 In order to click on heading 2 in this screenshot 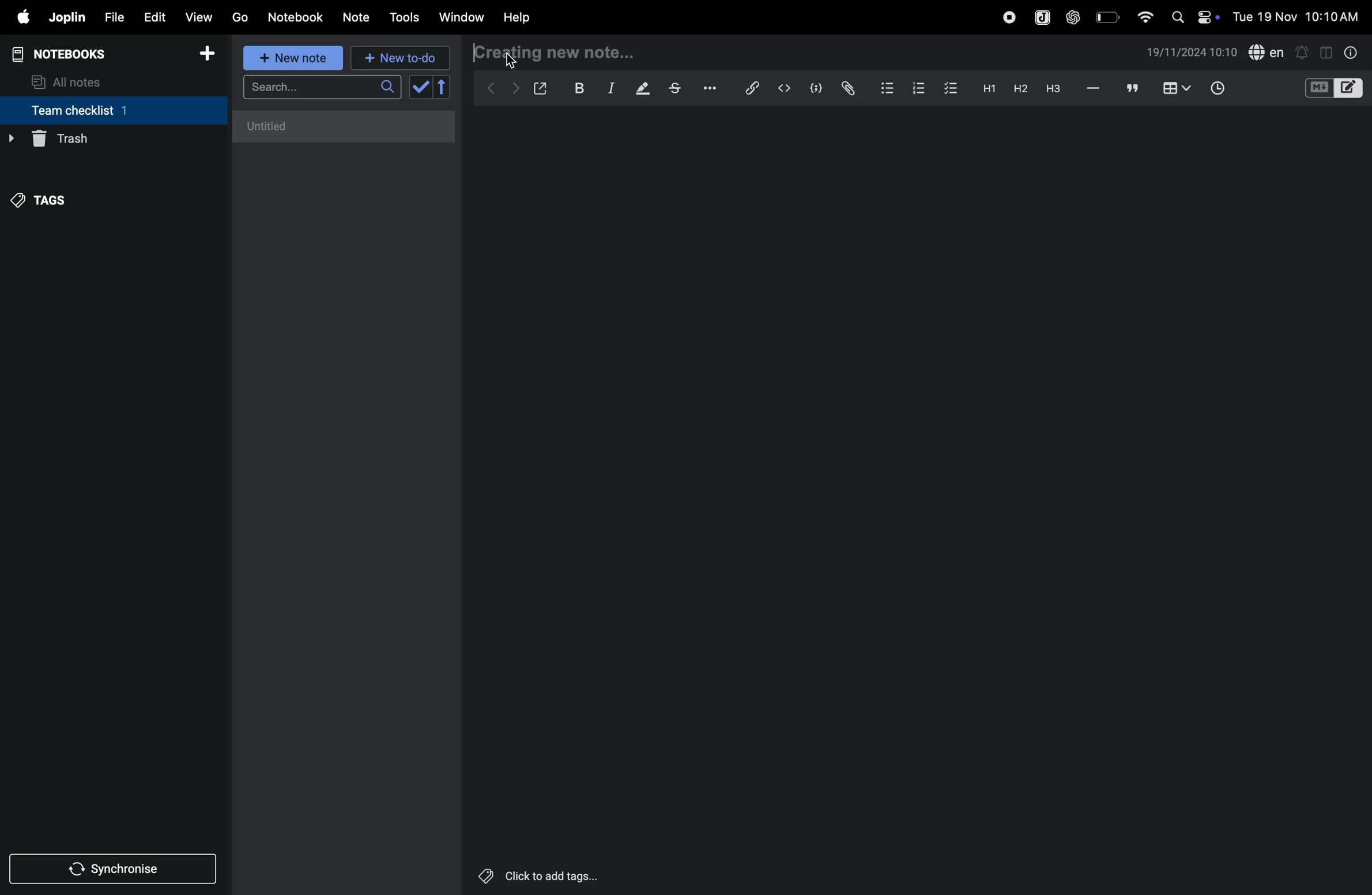, I will do `click(986, 88)`.